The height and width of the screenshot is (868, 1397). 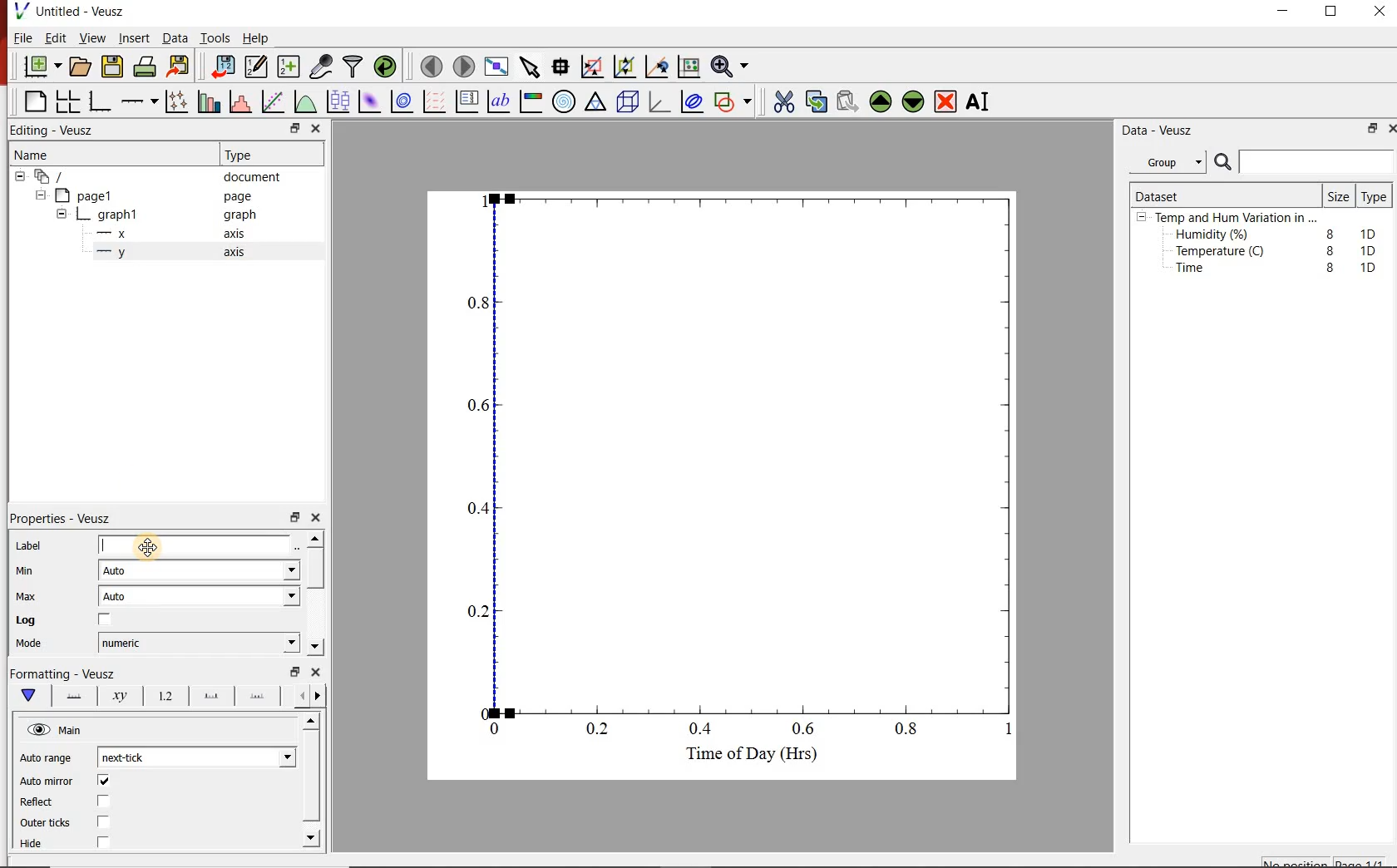 I want to click on close, so click(x=321, y=518).